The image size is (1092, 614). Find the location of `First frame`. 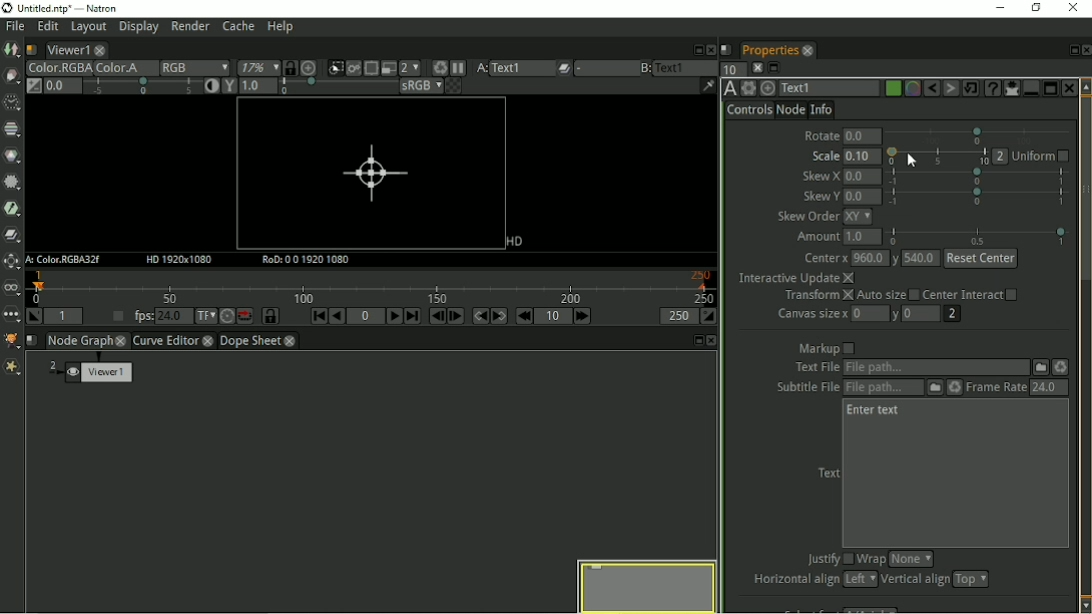

First frame is located at coordinates (317, 316).